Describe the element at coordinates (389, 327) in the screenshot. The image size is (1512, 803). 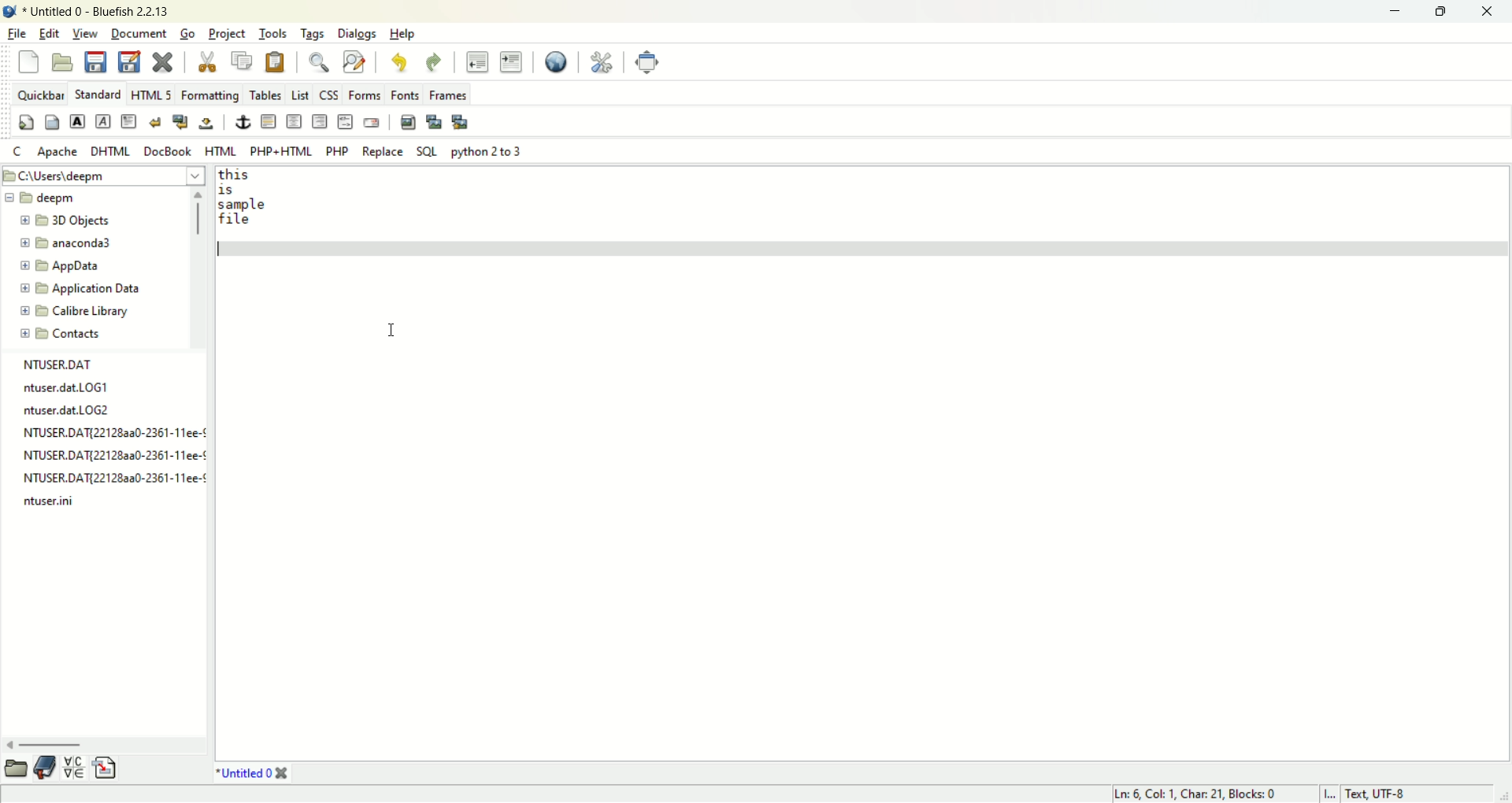
I see `cursor ` at that location.